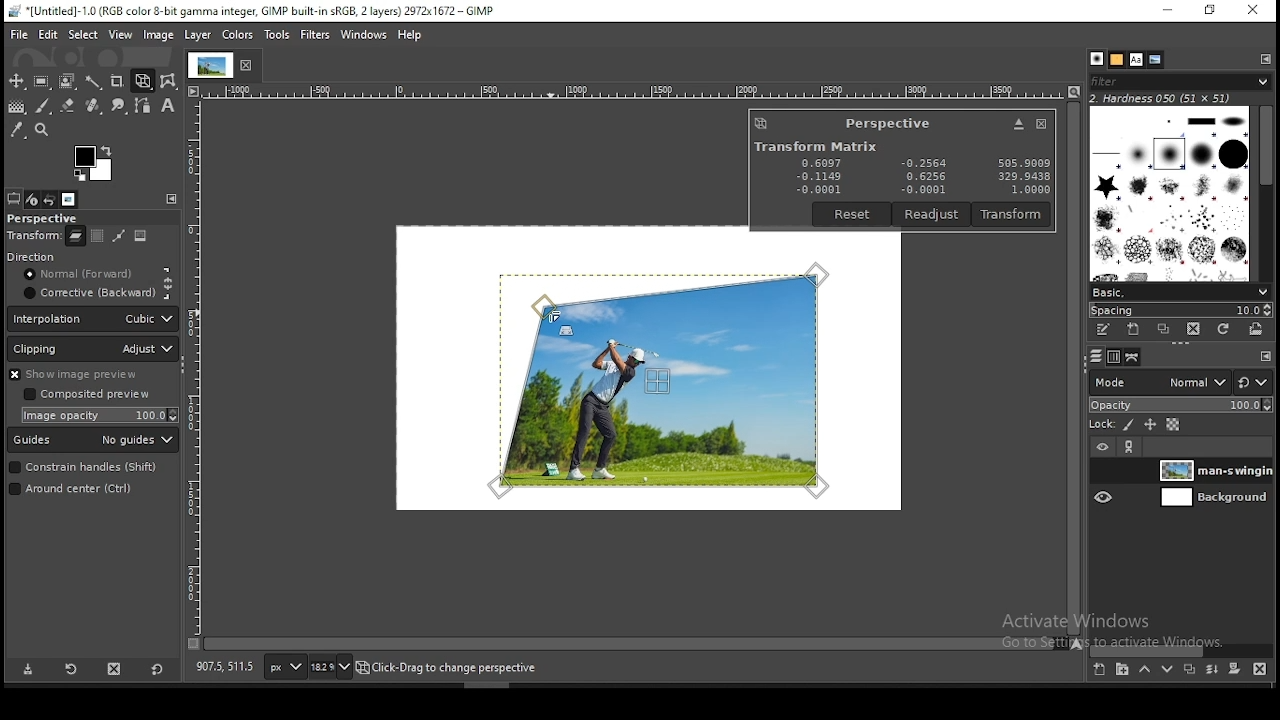  Describe the element at coordinates (1224, 328) in the screenshot. I see `refresh brushes` at that location.